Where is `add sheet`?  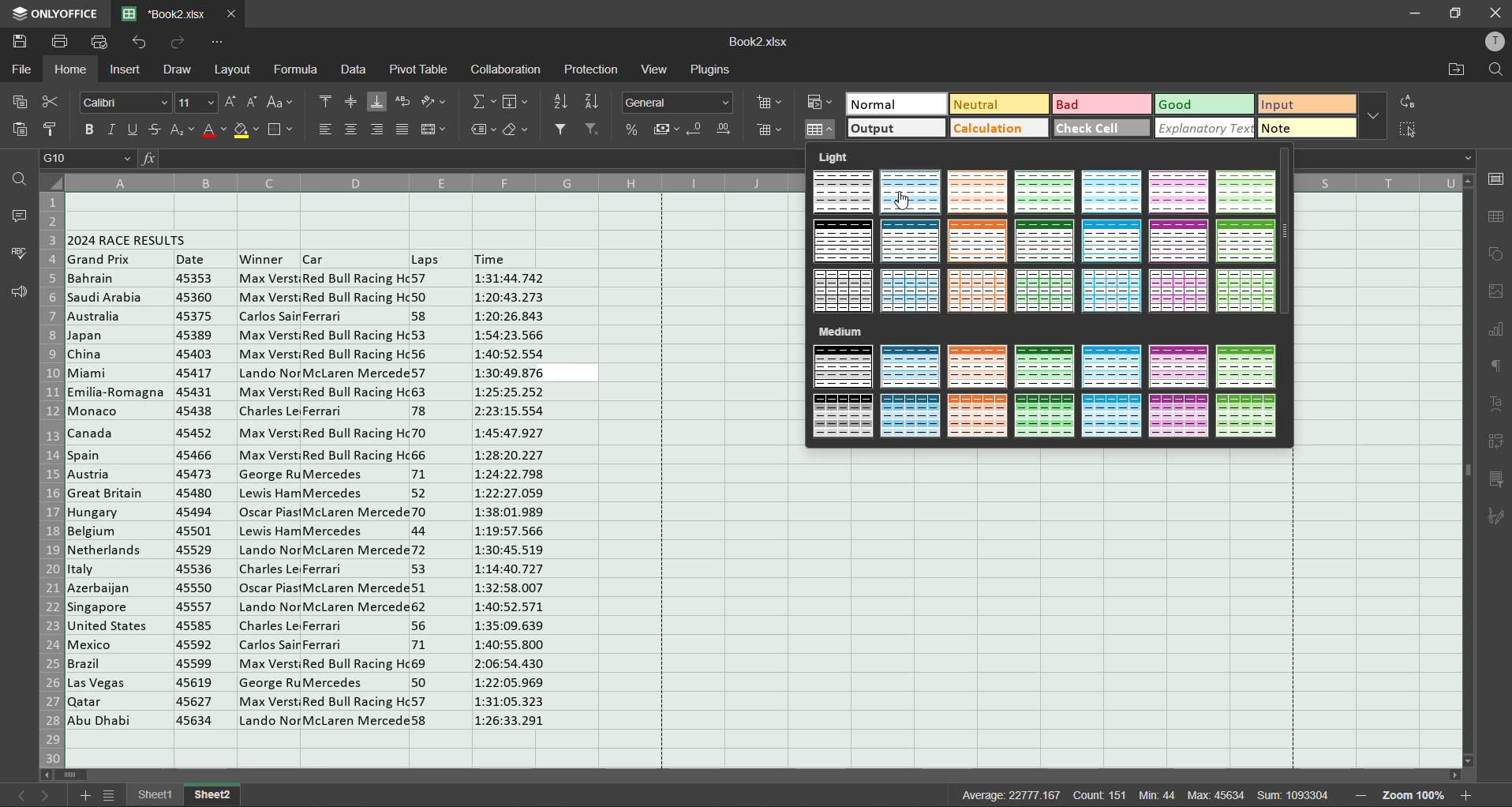
add sheet is located at coordinates (89, 796).